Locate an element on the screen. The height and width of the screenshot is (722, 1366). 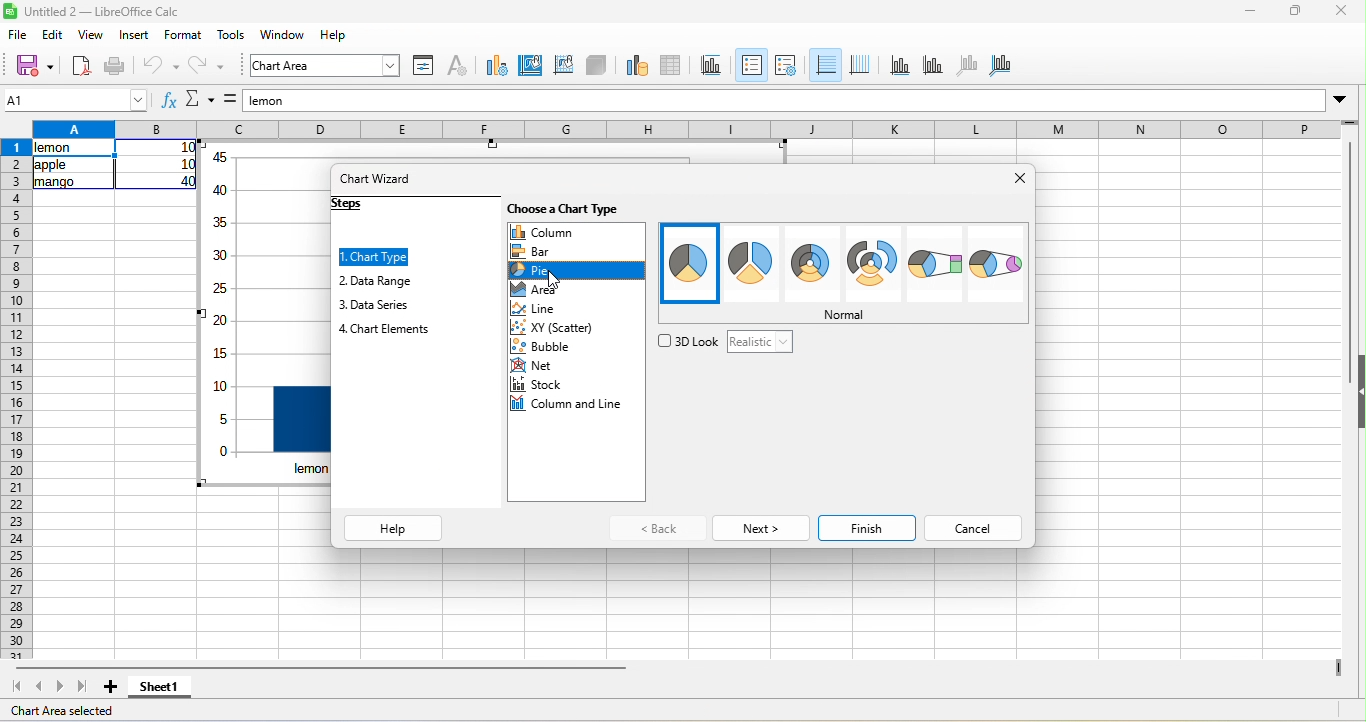
lemon is located at coordinates (312, 469).